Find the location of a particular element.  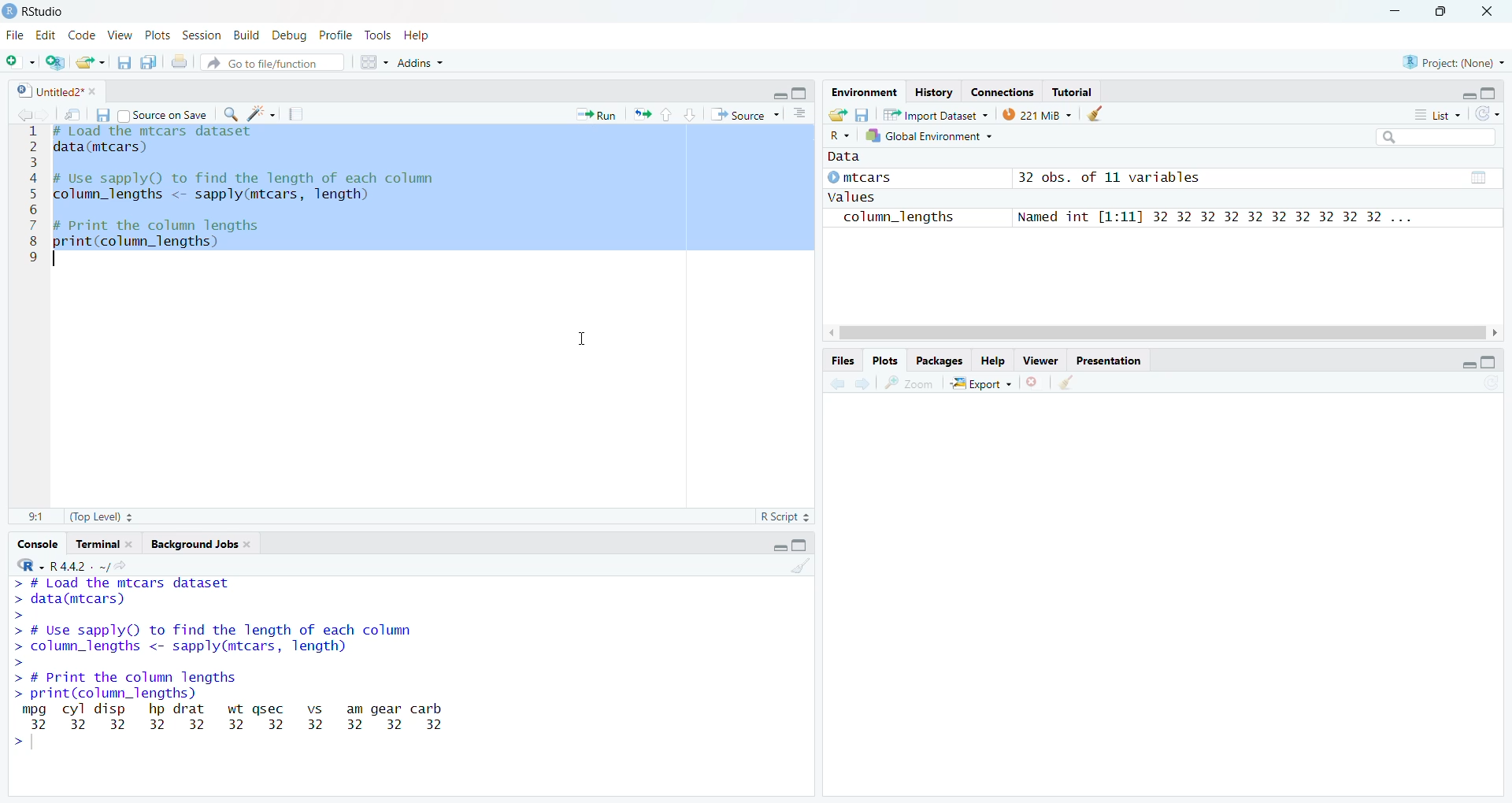

Console is located at coordinates (39, 544).